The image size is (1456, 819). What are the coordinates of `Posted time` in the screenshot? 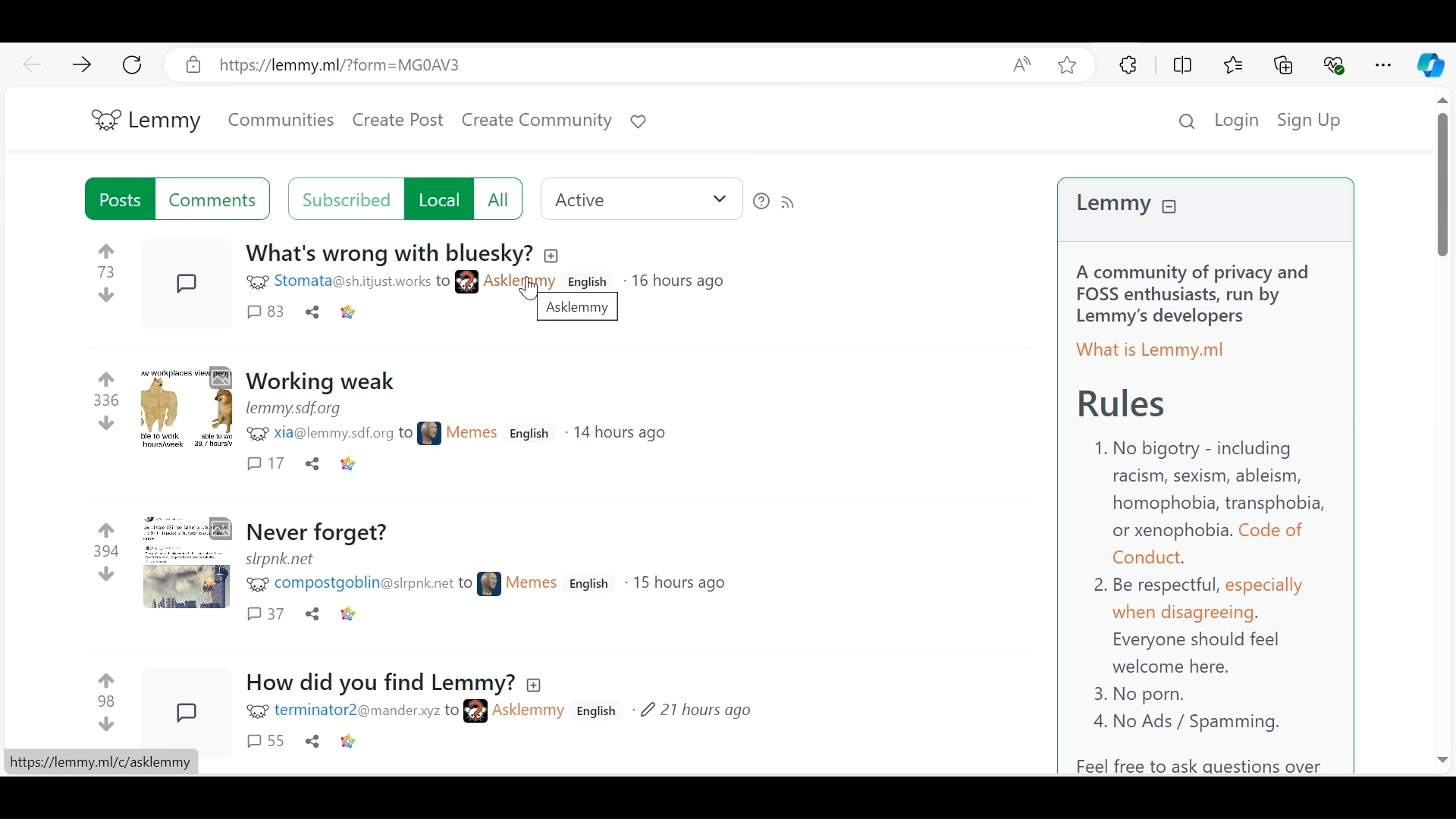 It's located at (694, 711).